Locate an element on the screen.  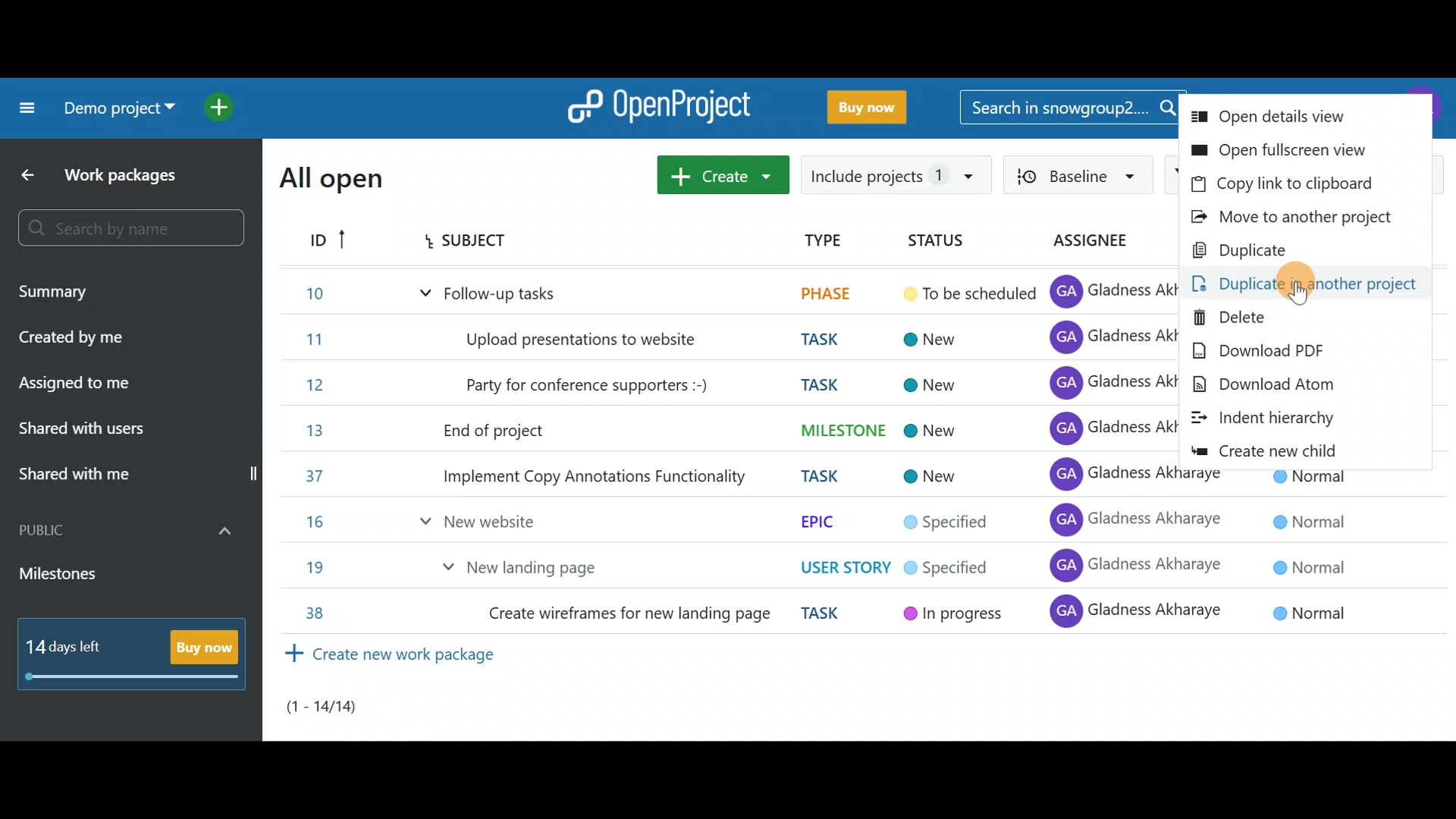
Create wireframes for new landing page is located at coordinates (631, 617).